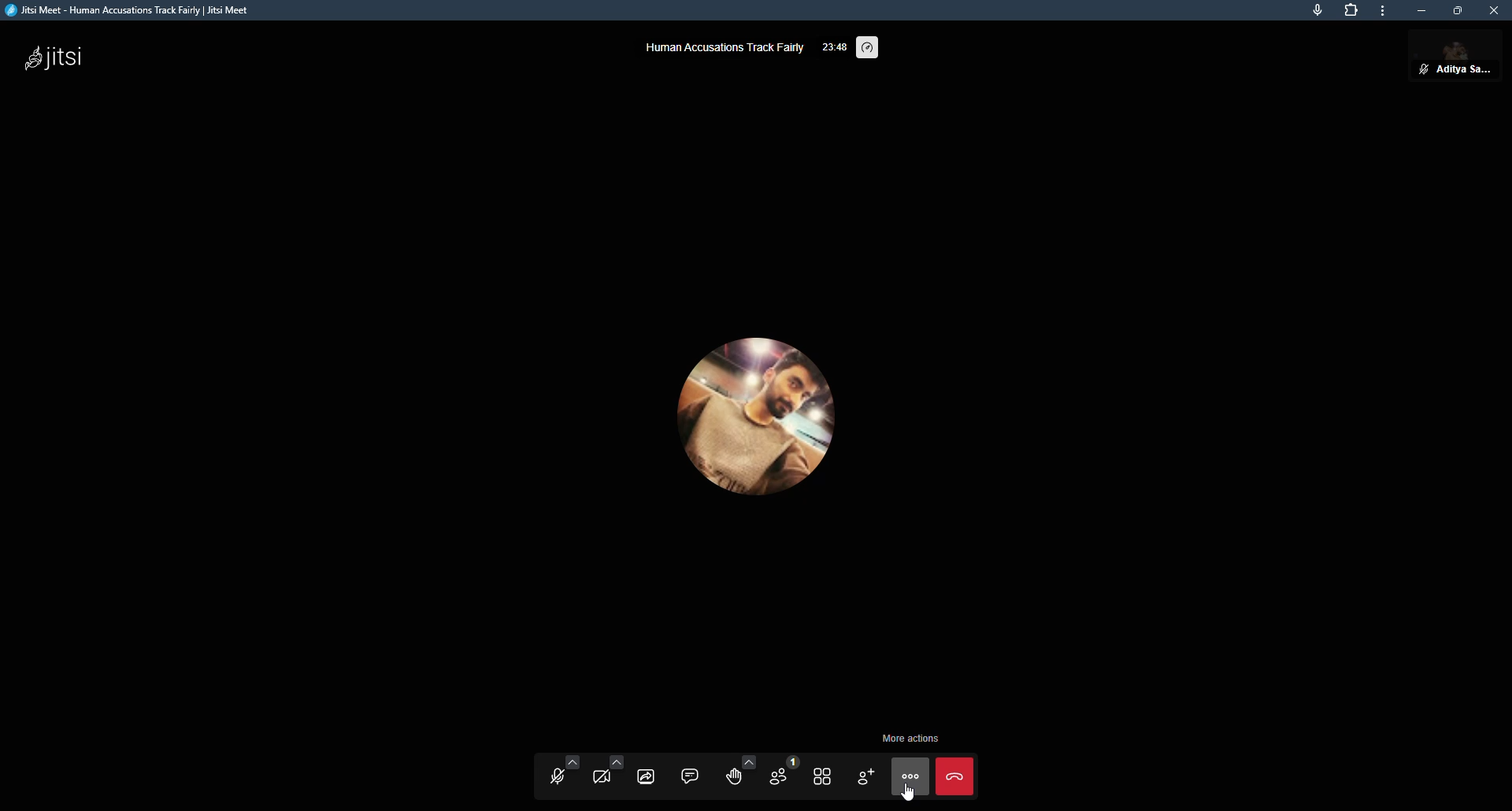 This screenshot has width=1512, height=811. Describe the element at coordinates (723, 46) in the screenshot. I see `human accusations track fairly` at that location.